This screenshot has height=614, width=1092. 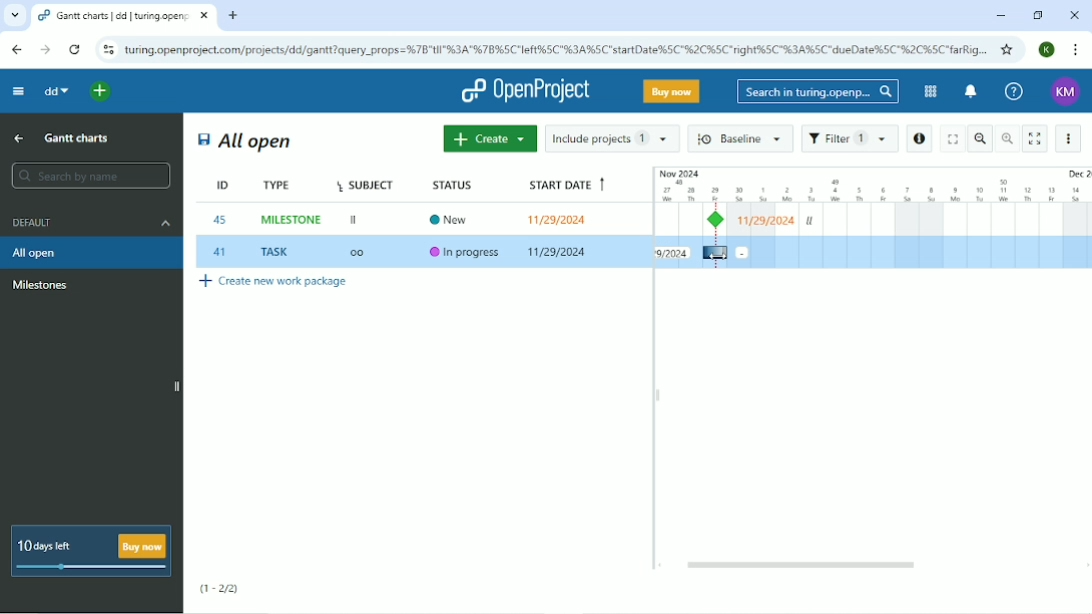 I want to click on Reload this page, so click(x=75, y=49).